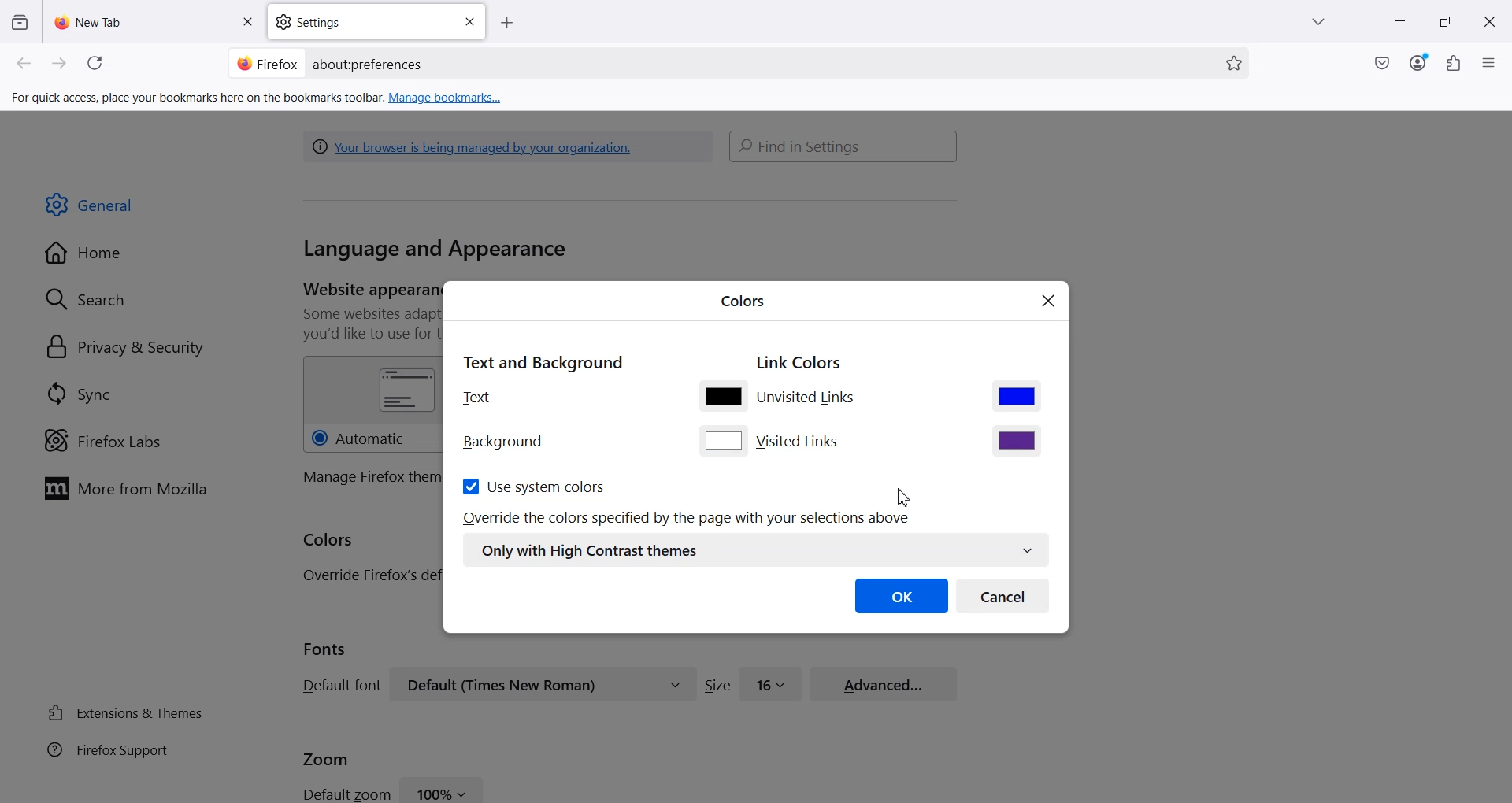  Describe the element at coordinates (125, 490) in the screenshot. I see `jm] More from Mozilla` at that location.